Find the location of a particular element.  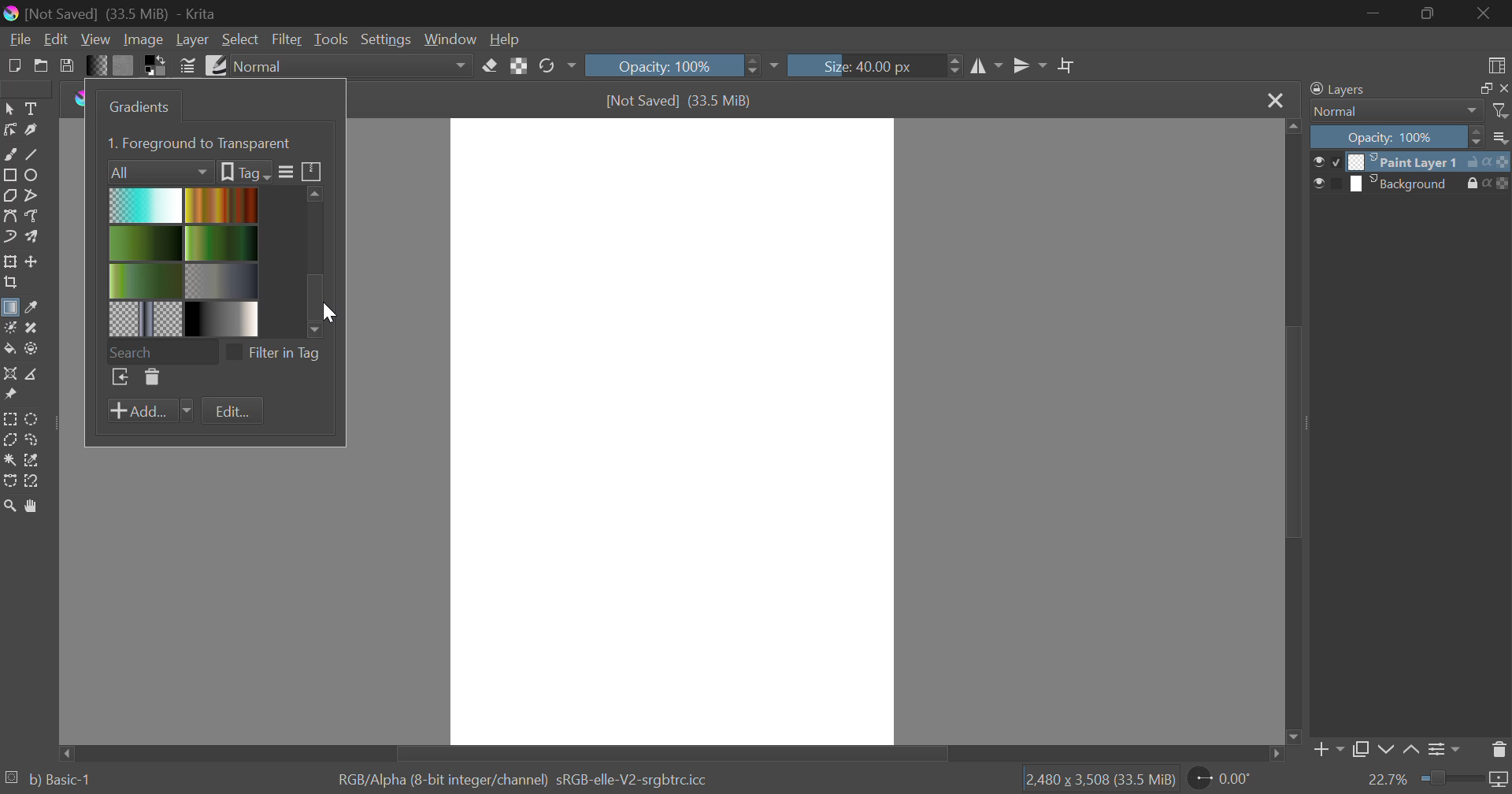

unlock is located at coordinates (1476, 161).